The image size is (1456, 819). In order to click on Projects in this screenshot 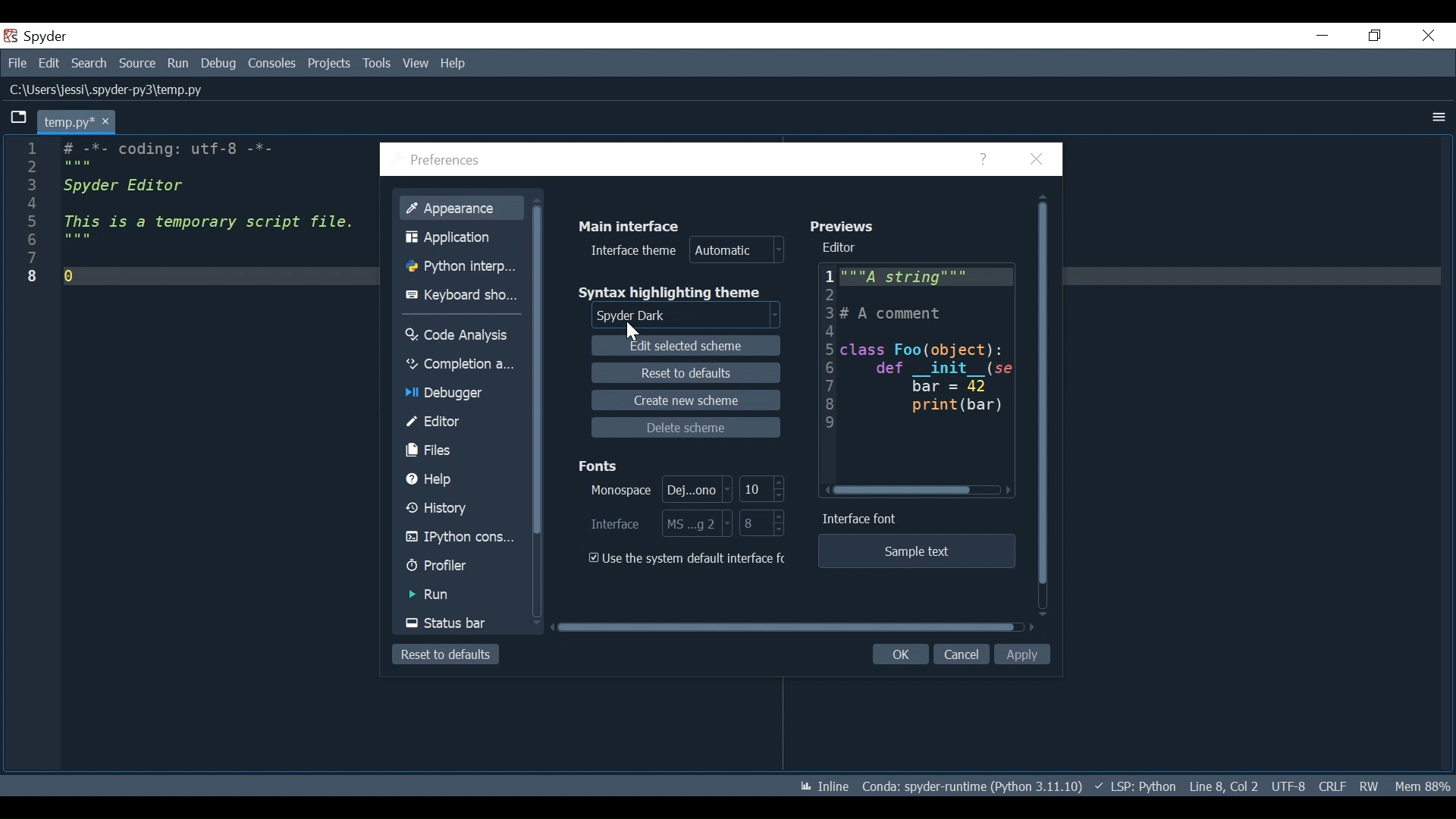, I will do `click(329, 64)`.